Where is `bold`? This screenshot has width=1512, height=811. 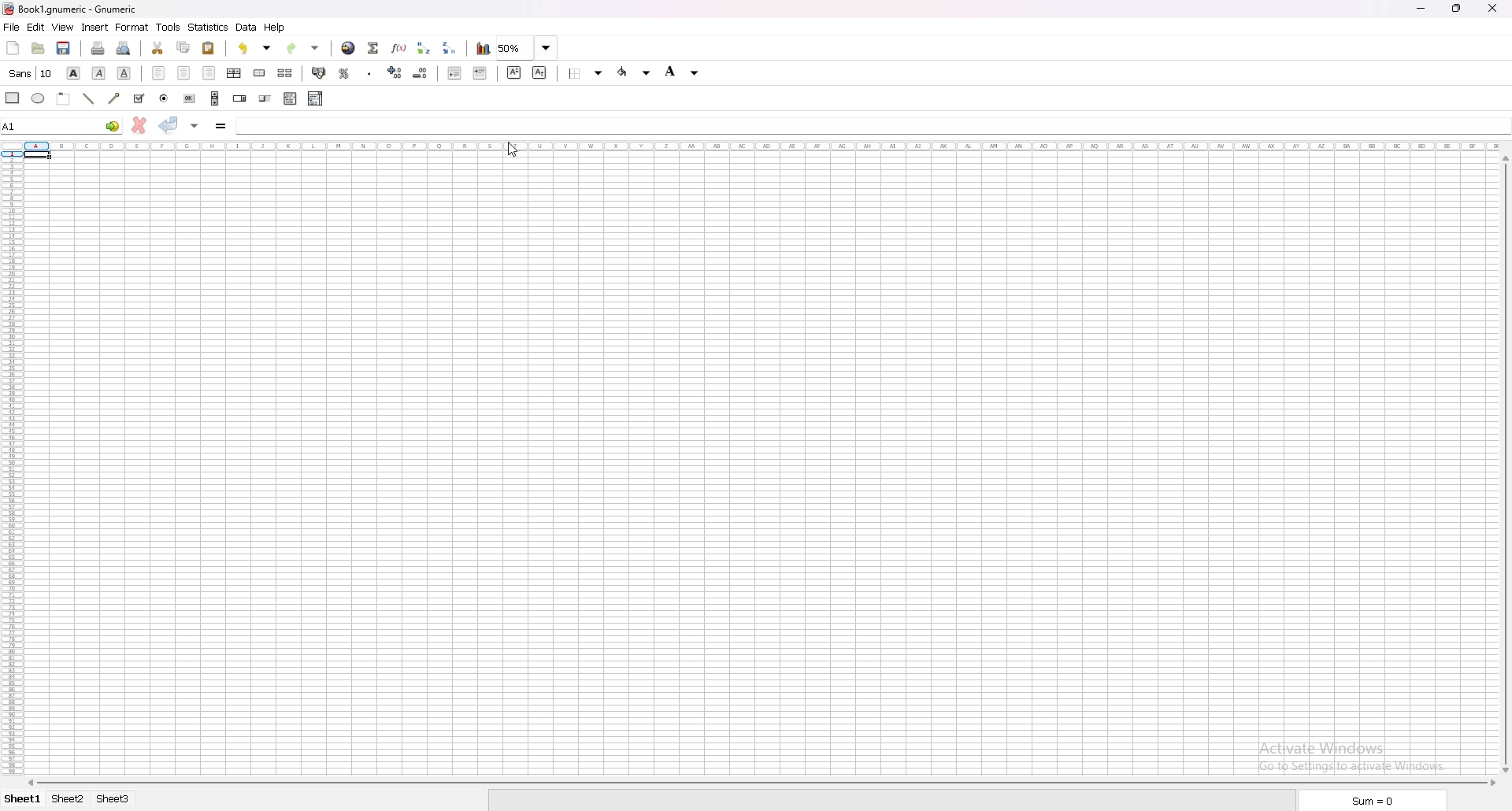
bold is located at coordinates (74, 73).